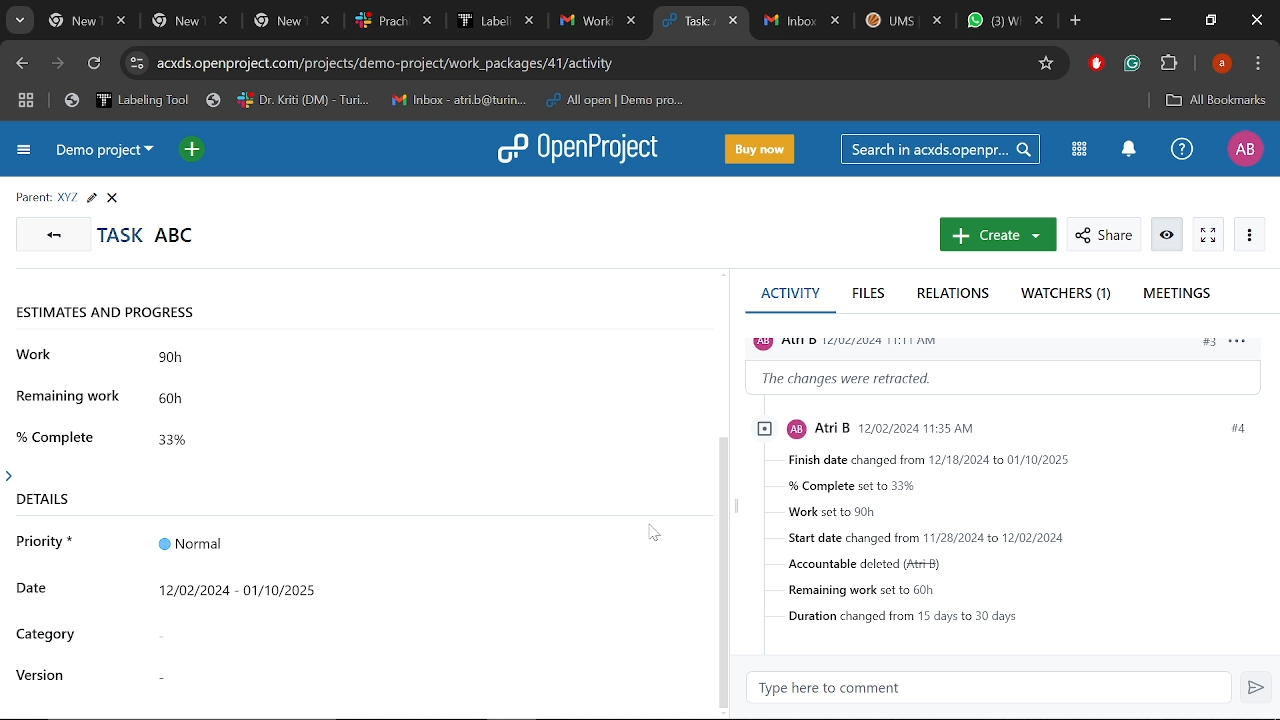 This screenshot has height=720, width=1280. What do you see at coordinates (199, 437) in the screenshot?
I see `33%` at bounding box center [199, 437].